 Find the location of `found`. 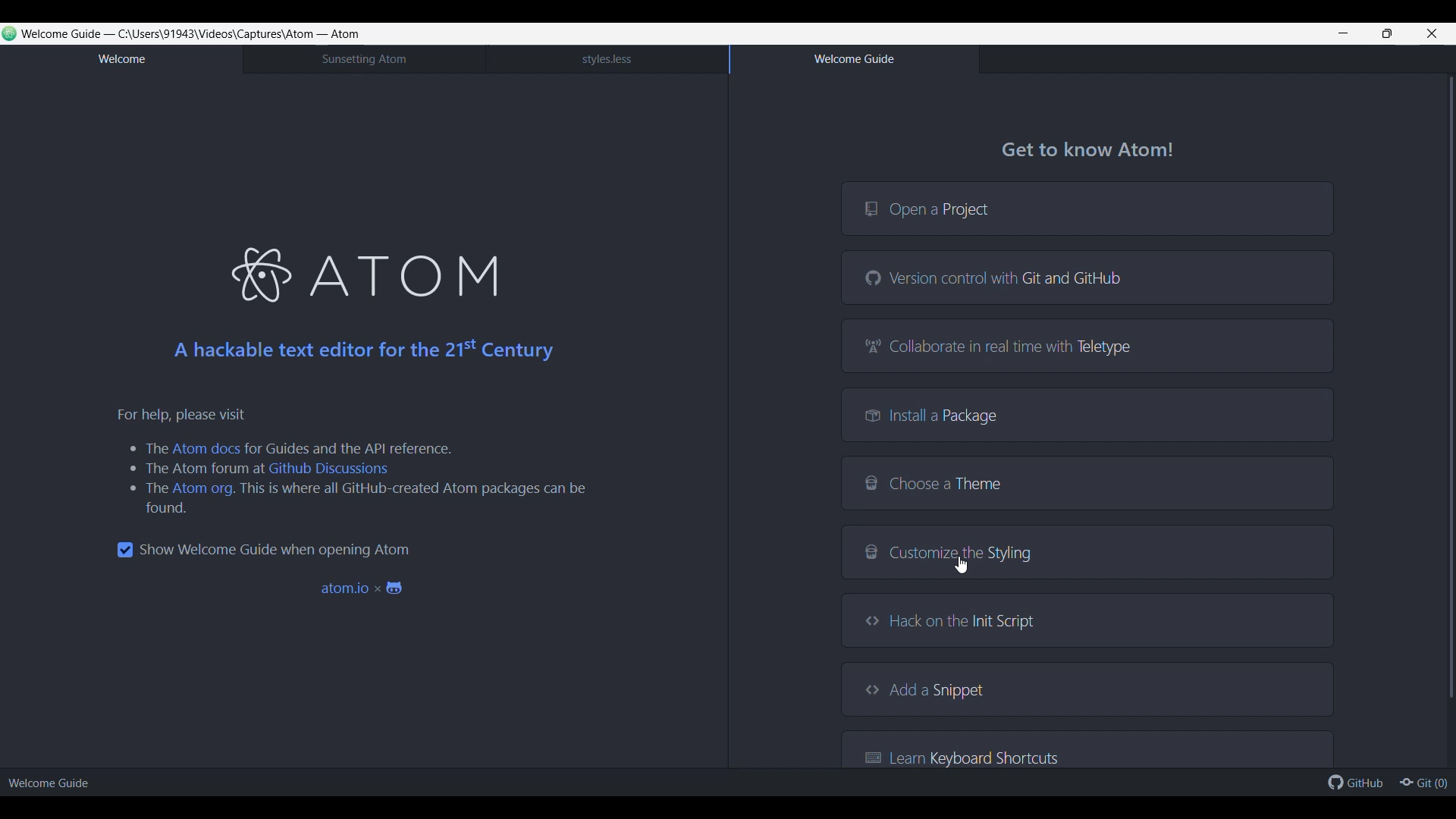

found is located at coordinates (155, 509).